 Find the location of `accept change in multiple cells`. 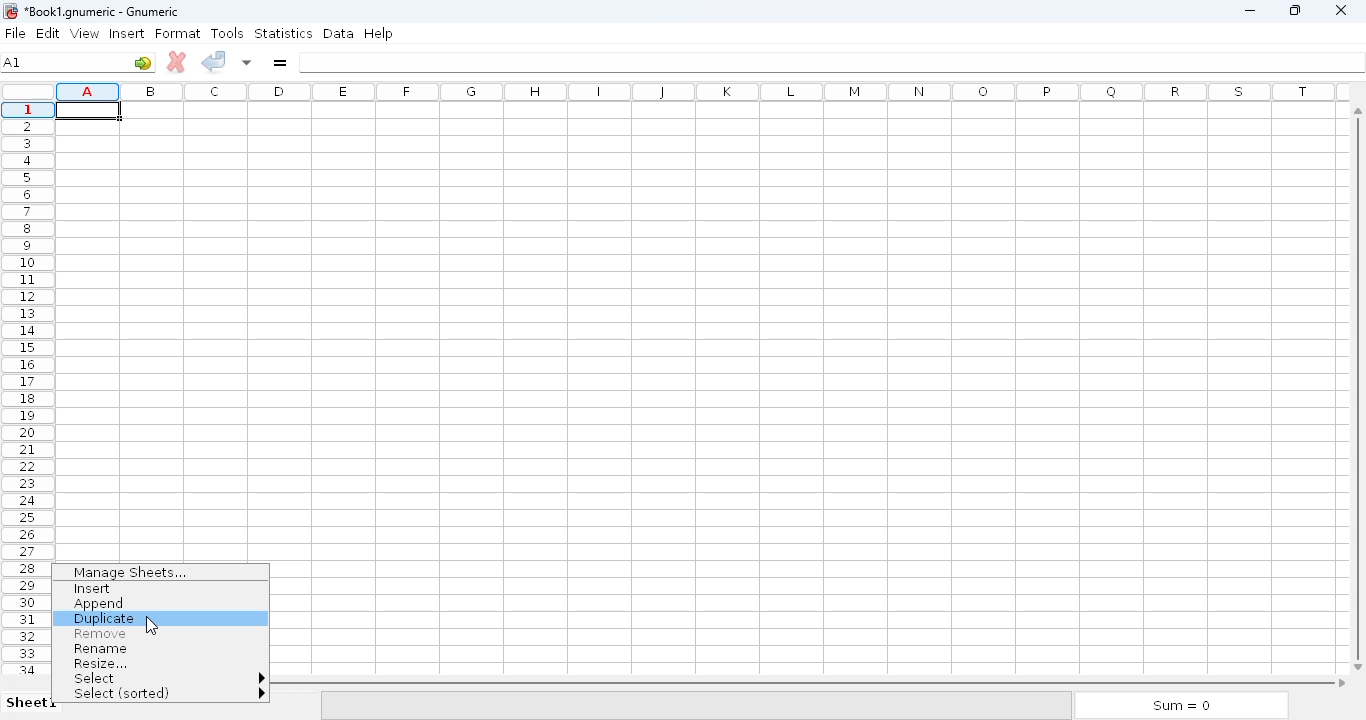

accept change in multiple cells is located at coordinates (248, 61).